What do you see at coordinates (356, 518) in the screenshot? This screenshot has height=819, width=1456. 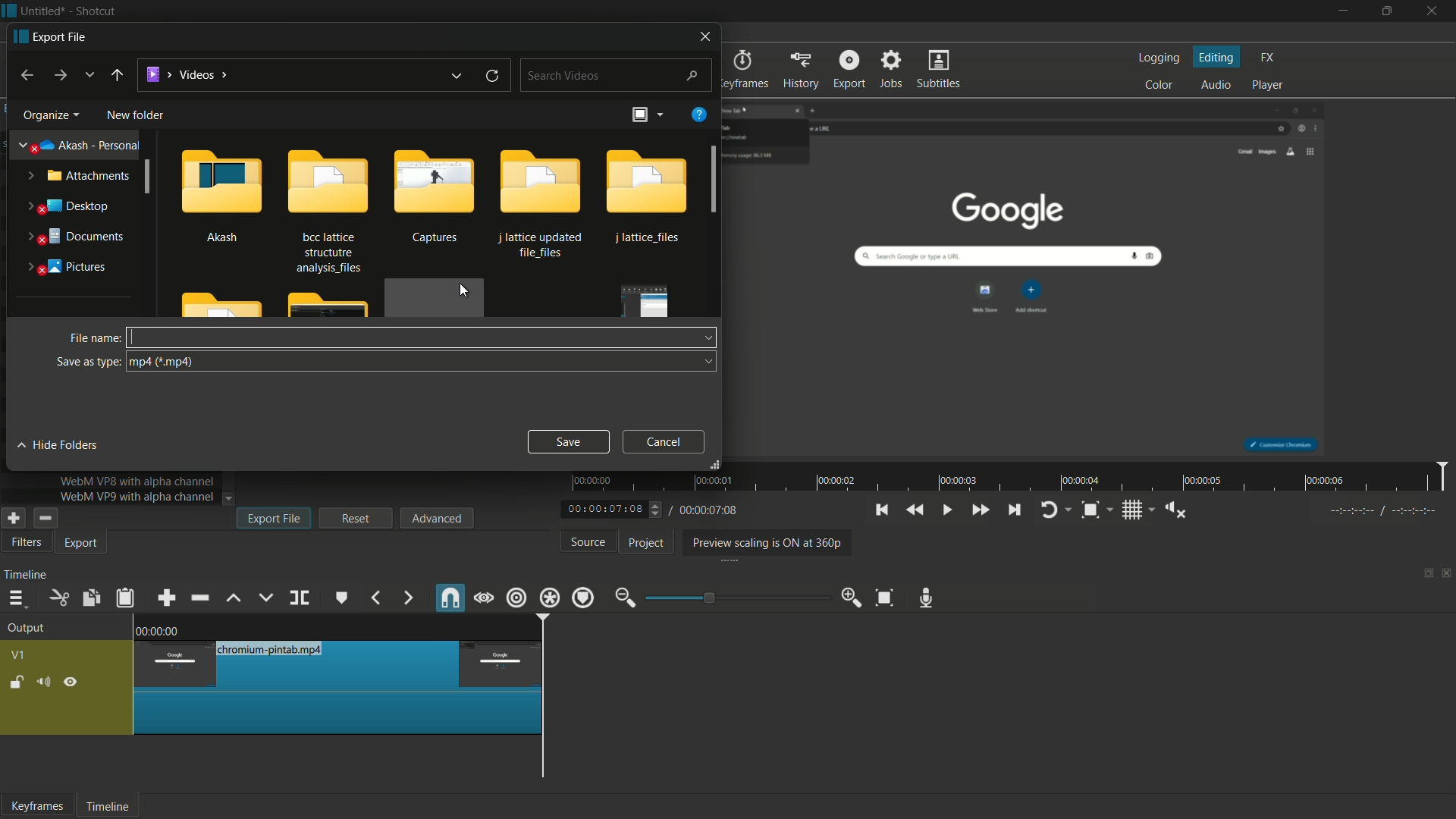 I see `reset` at bounding box center [356, 518].